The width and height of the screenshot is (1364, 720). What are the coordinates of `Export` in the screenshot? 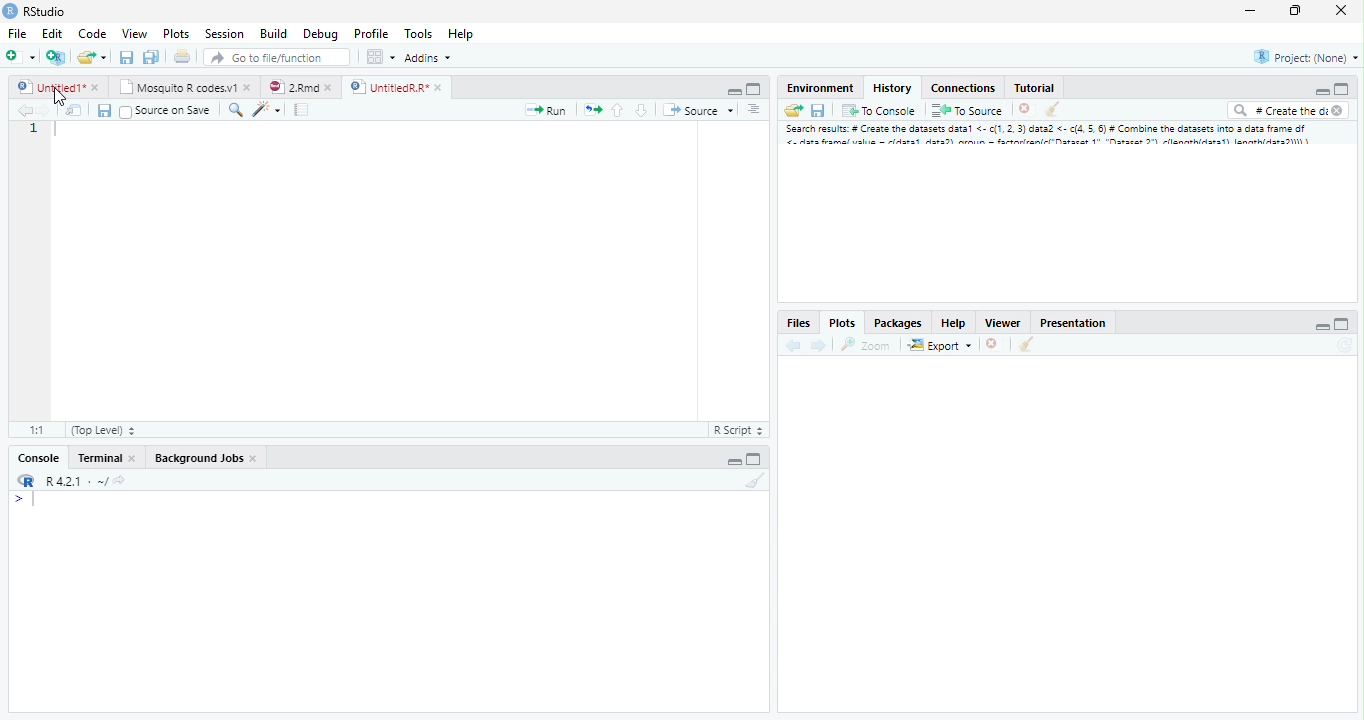 It's located at (940, 345).